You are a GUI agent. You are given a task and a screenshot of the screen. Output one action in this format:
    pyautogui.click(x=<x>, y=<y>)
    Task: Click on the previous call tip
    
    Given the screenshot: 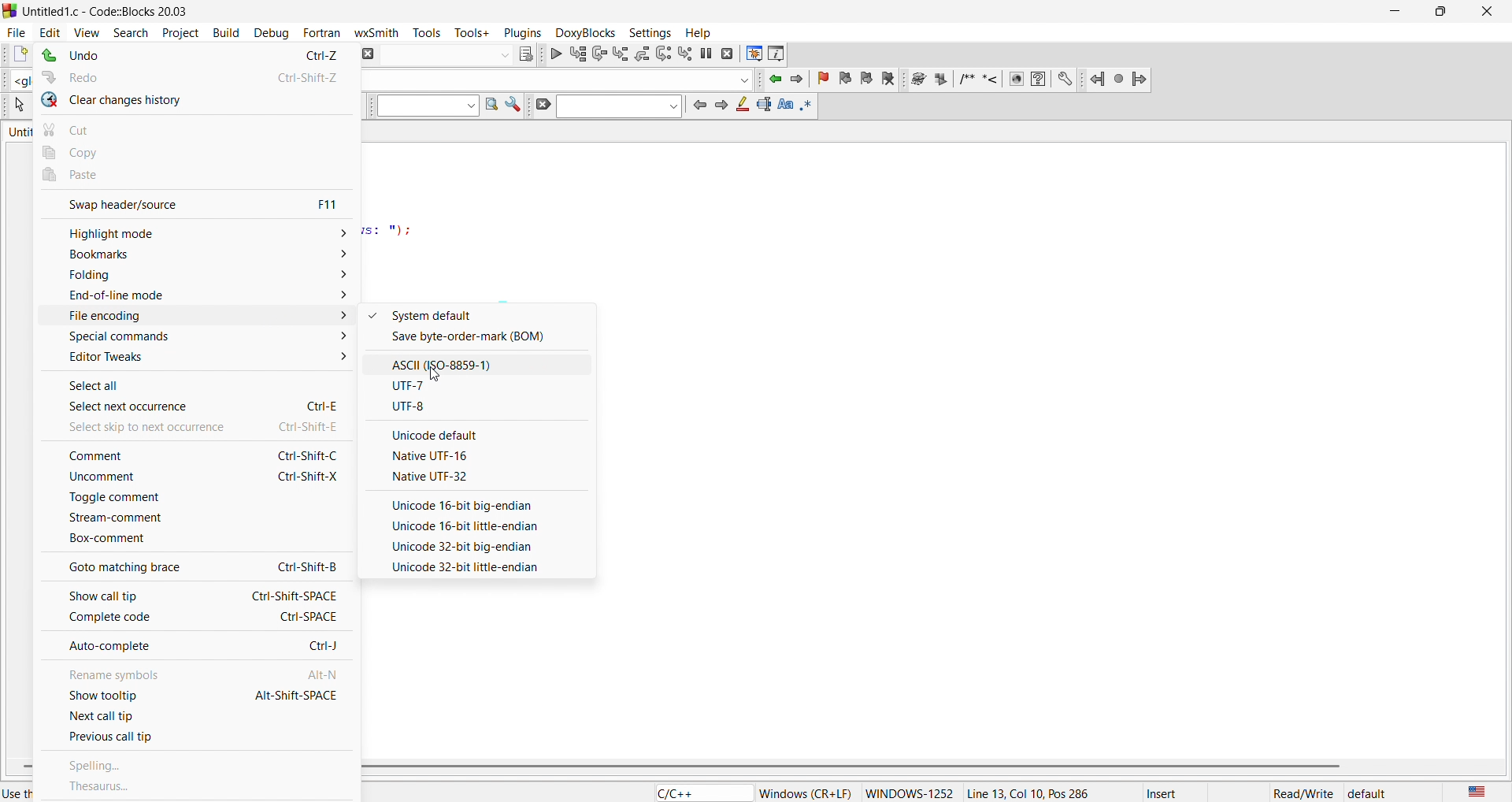 What is the action you would take?
    pyautogui.click(x=197, y=737)
    